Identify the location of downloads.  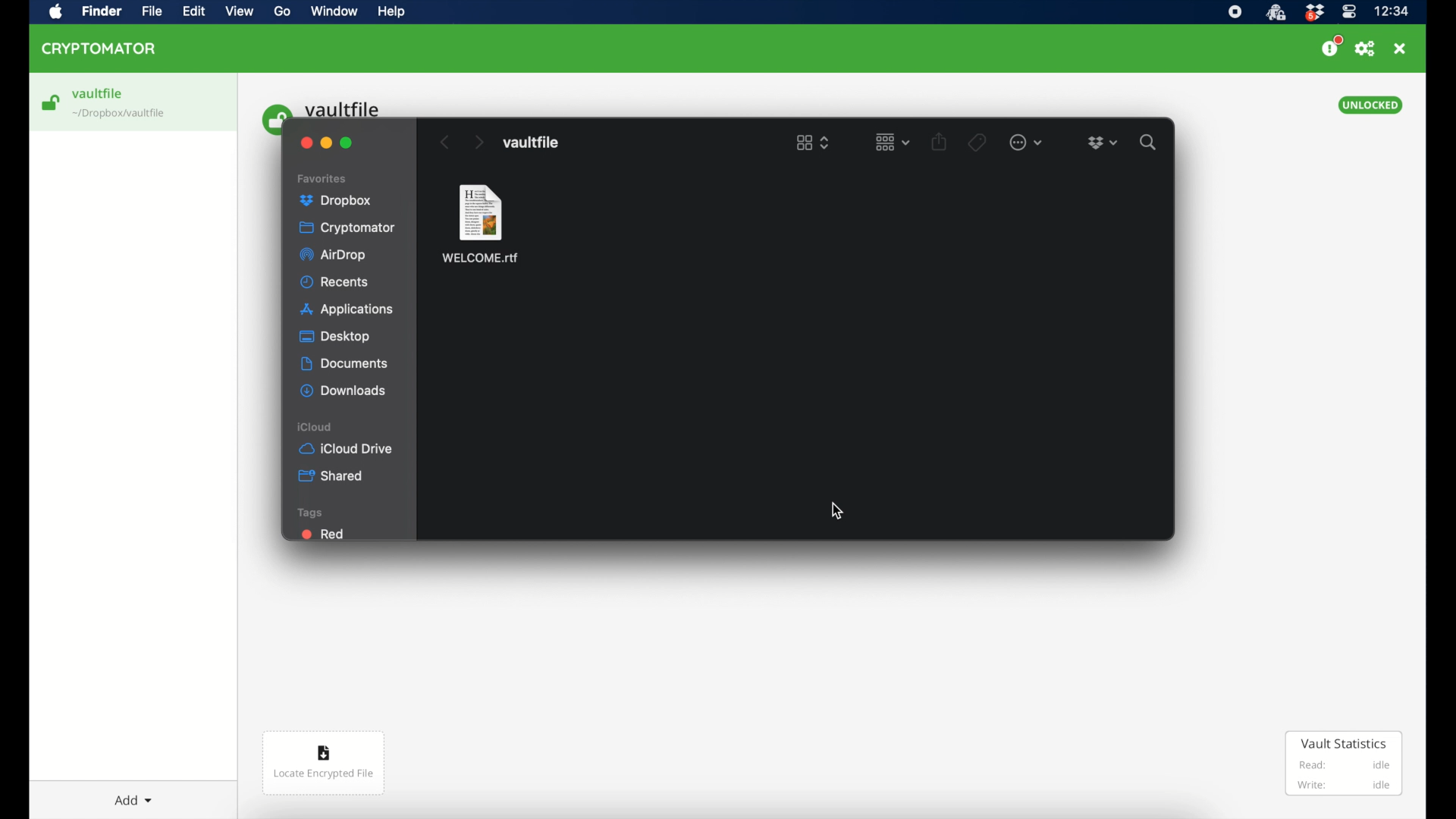
(345, 391).